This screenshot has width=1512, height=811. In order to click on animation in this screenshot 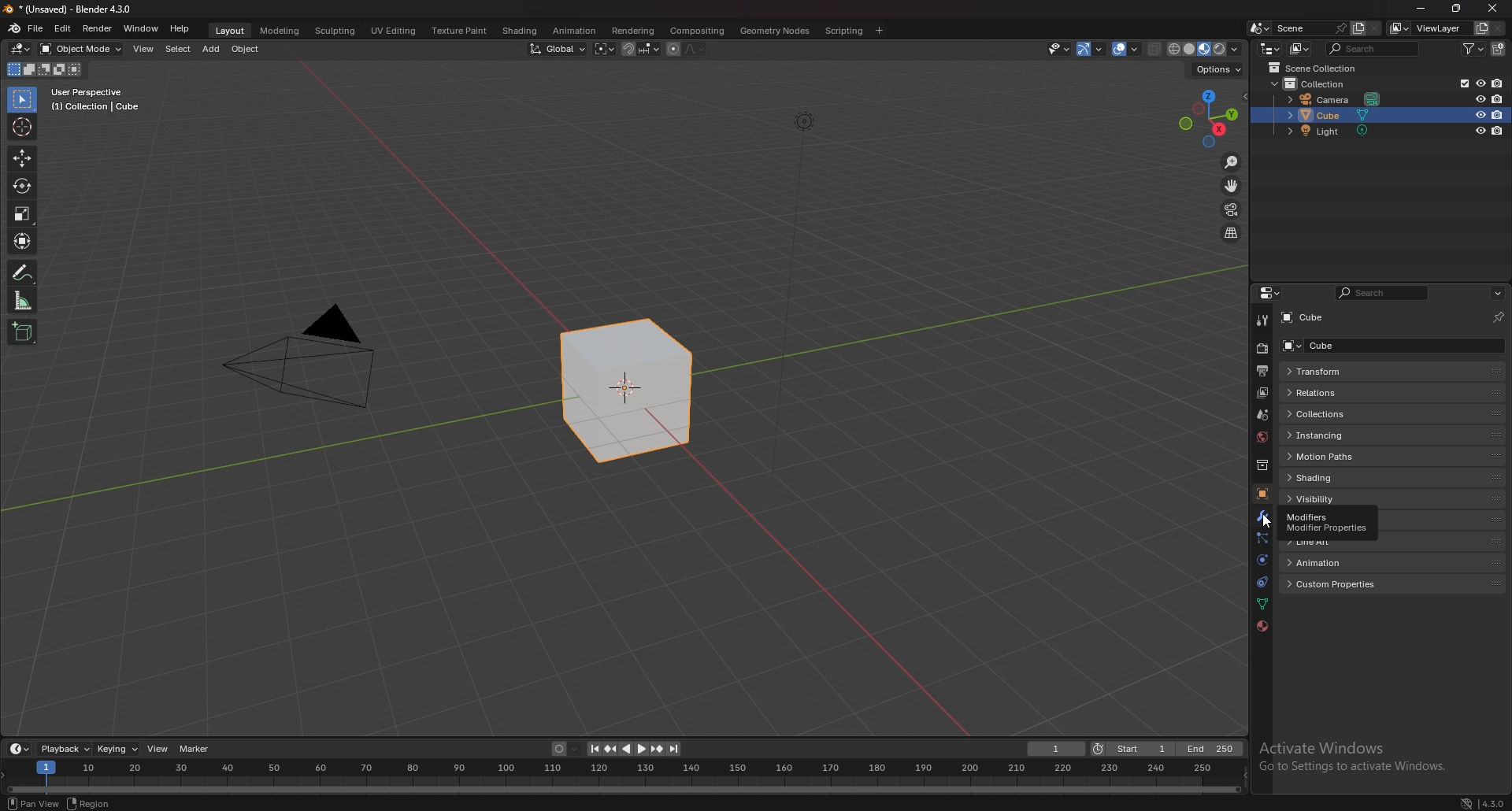, I will do `click(578, 29)`.